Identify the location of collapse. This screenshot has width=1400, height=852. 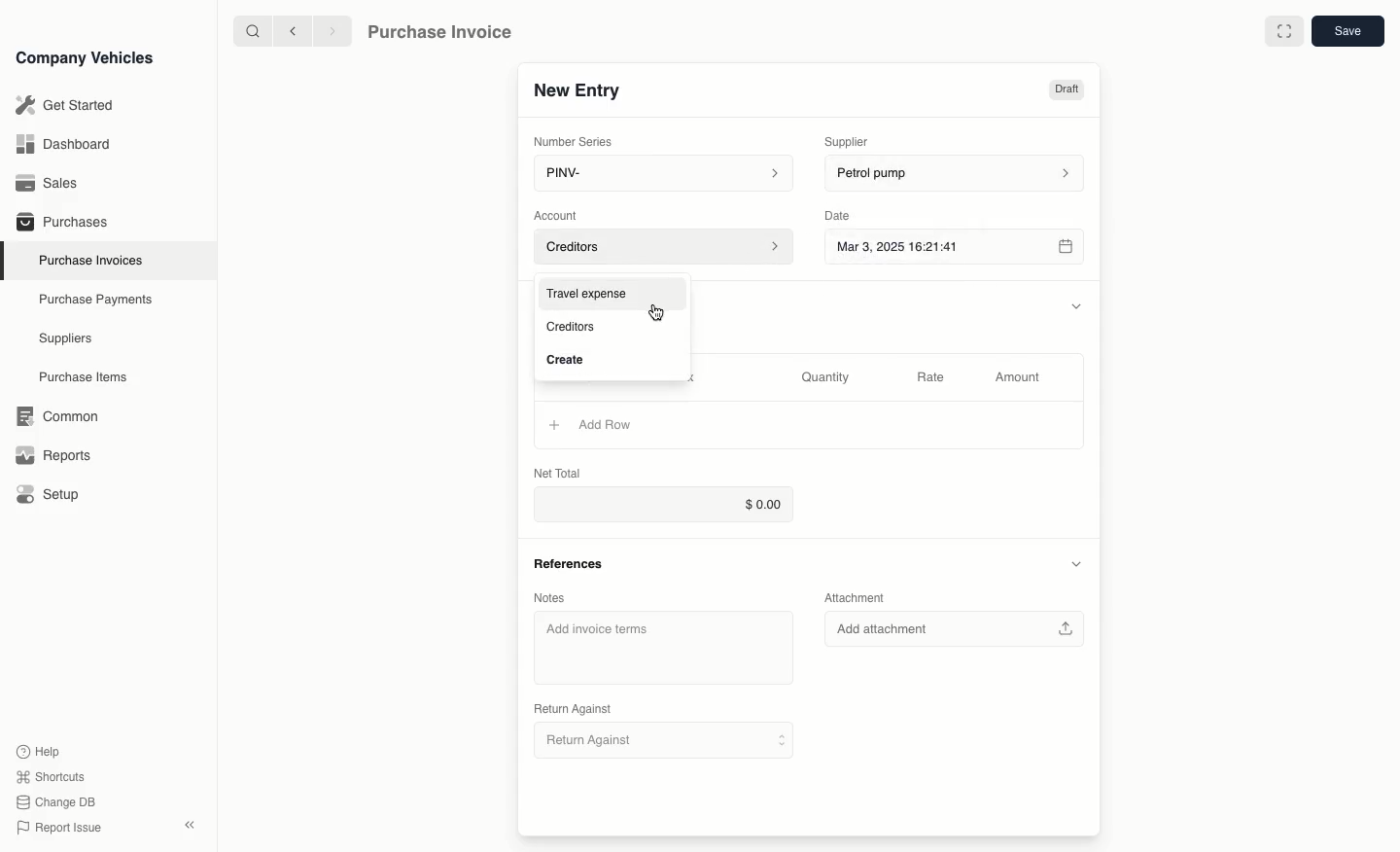
(1075, 564).